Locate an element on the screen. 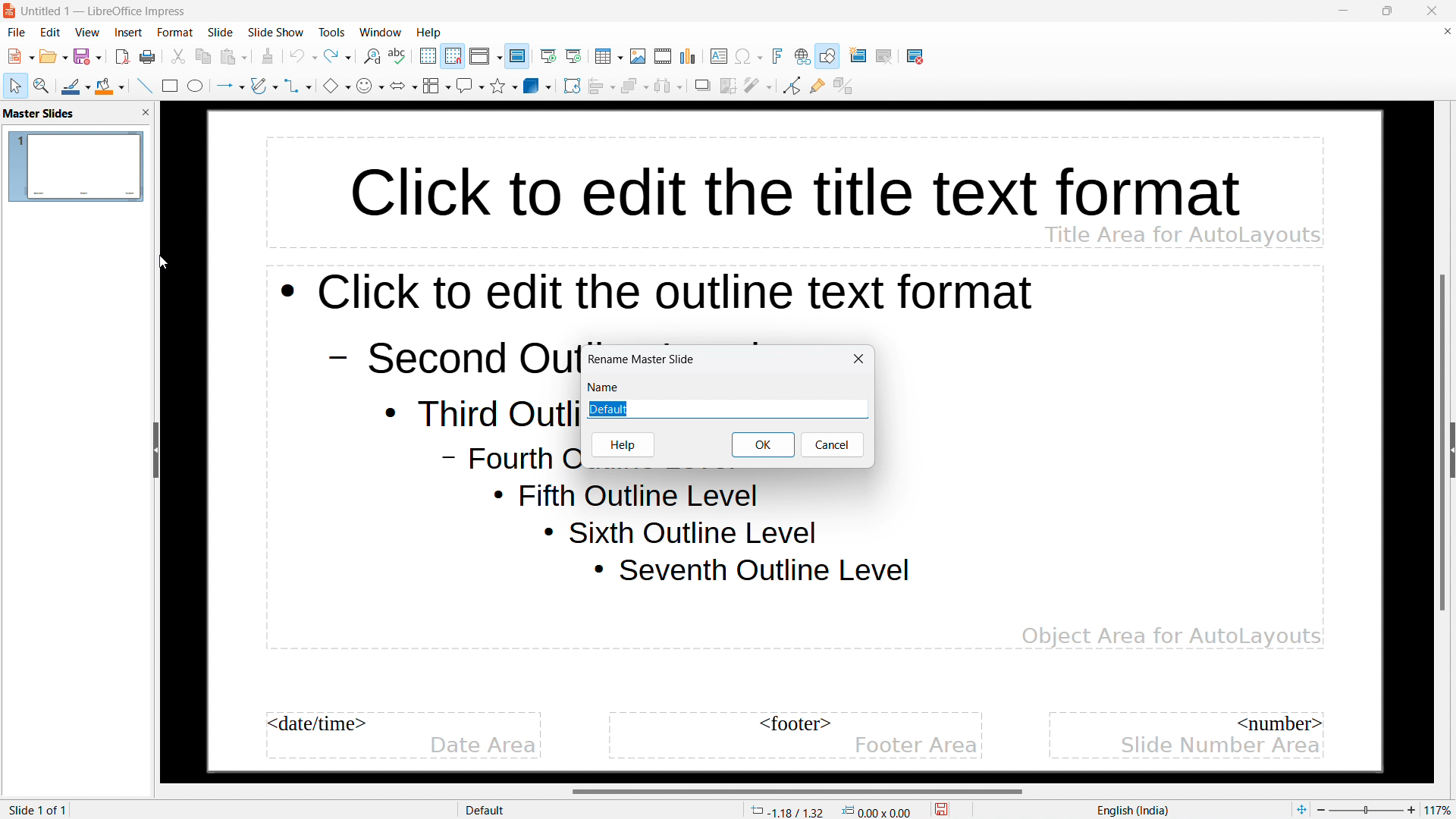 Image resolution: width=1456 pixels, height=819 pixels. dimensions is located at coordinates (877, 811).